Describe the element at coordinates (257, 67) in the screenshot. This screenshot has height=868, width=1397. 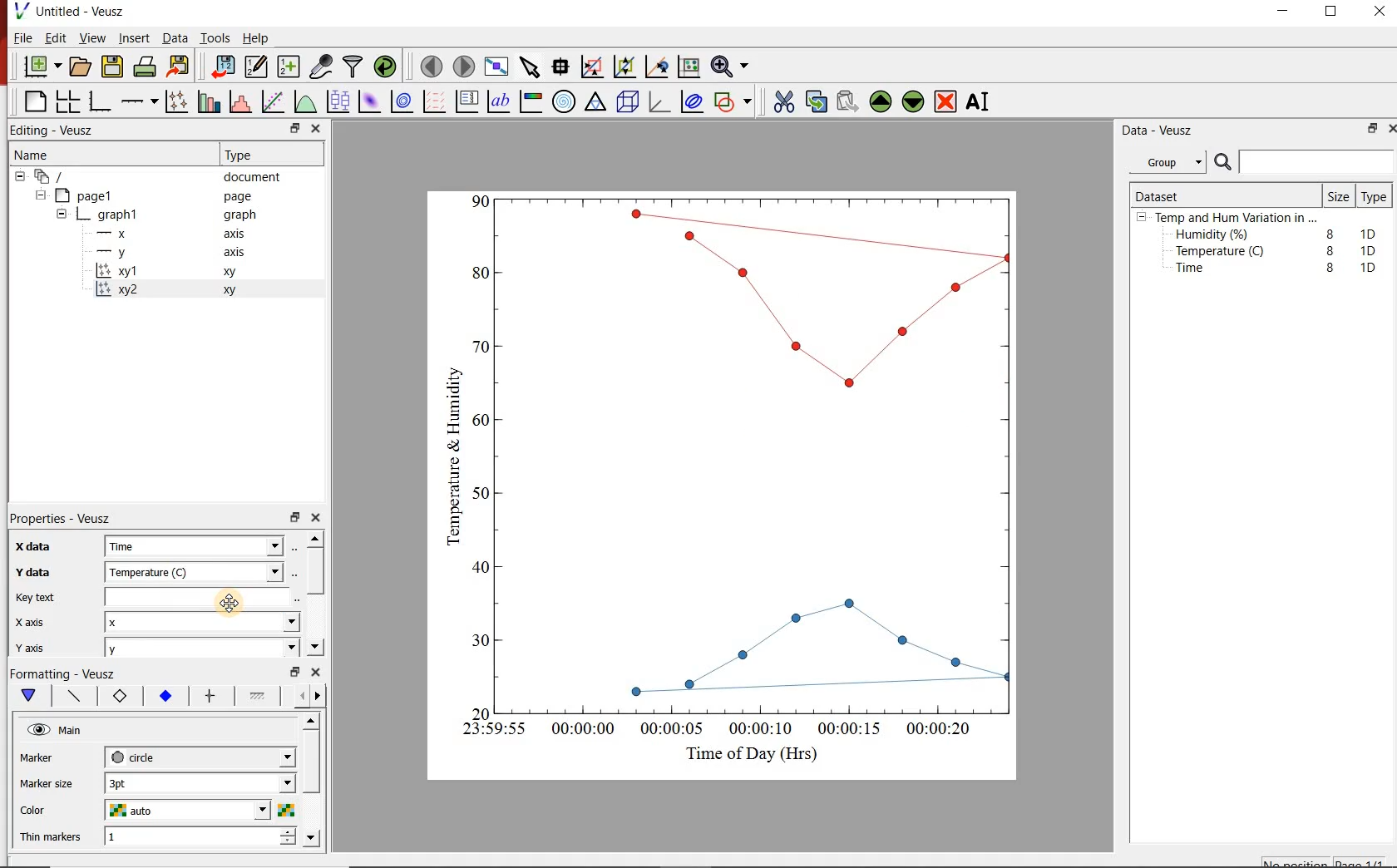
I see `Edit and enter new datasets` at that location.